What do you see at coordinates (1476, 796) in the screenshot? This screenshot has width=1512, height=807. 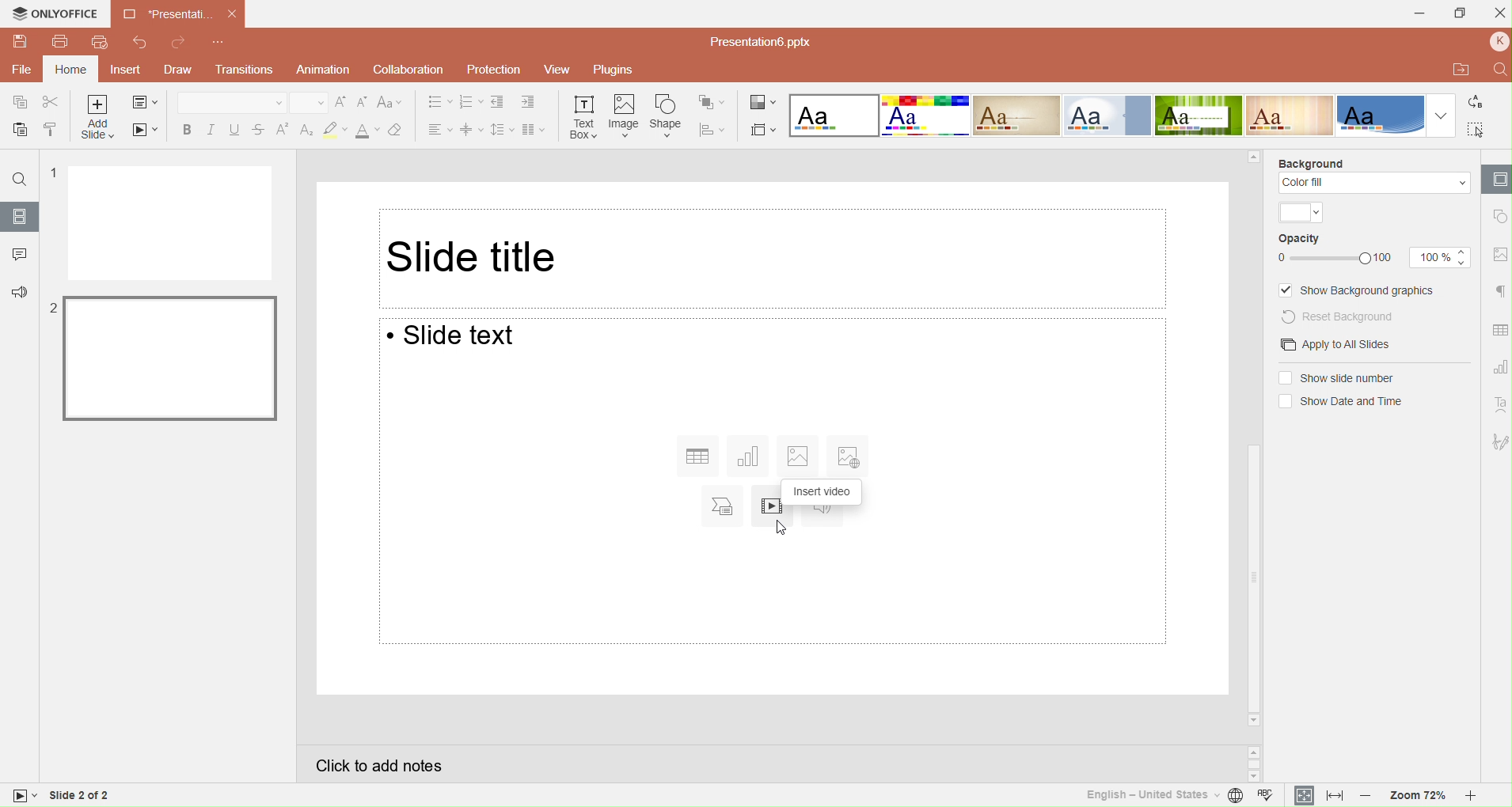 I see `Zoom in` at bounding box center [1476, 796].